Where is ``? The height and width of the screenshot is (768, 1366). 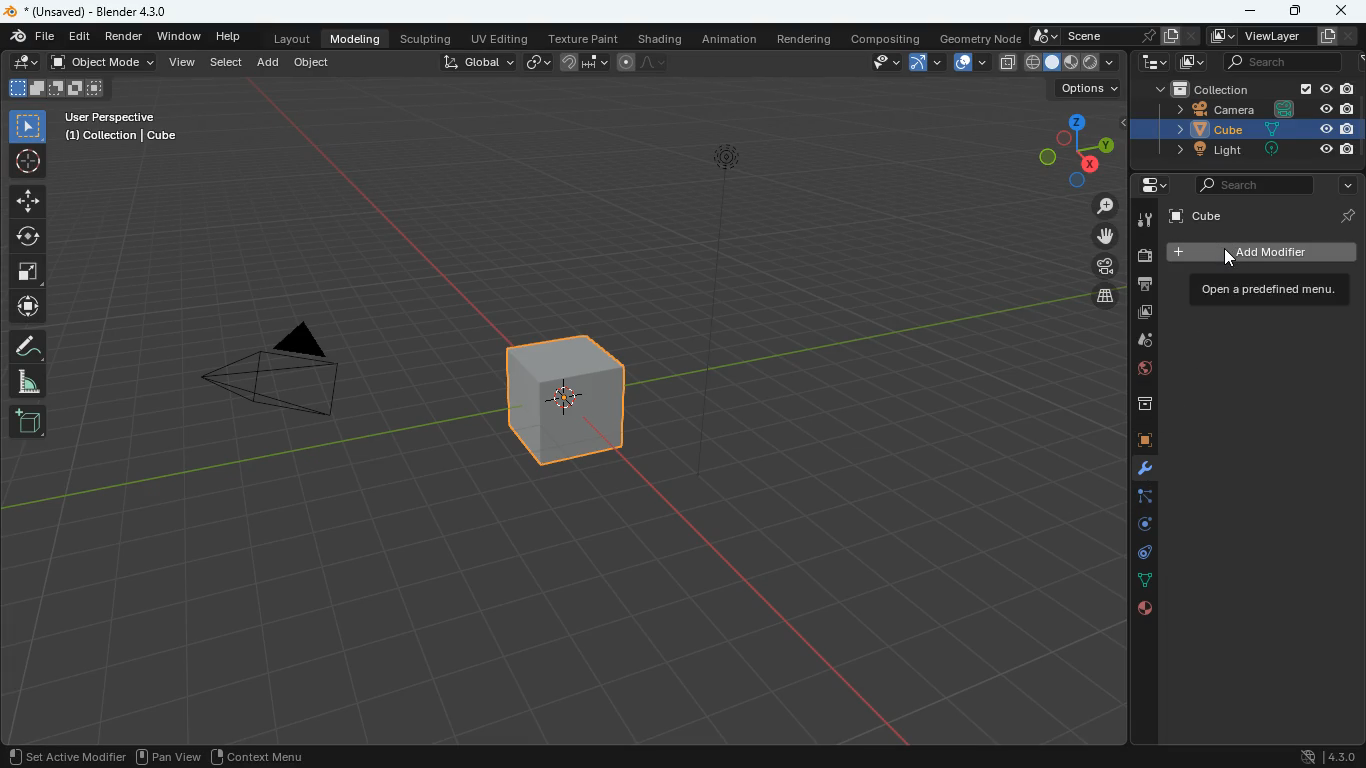
 is located at coordinates (123, 129).